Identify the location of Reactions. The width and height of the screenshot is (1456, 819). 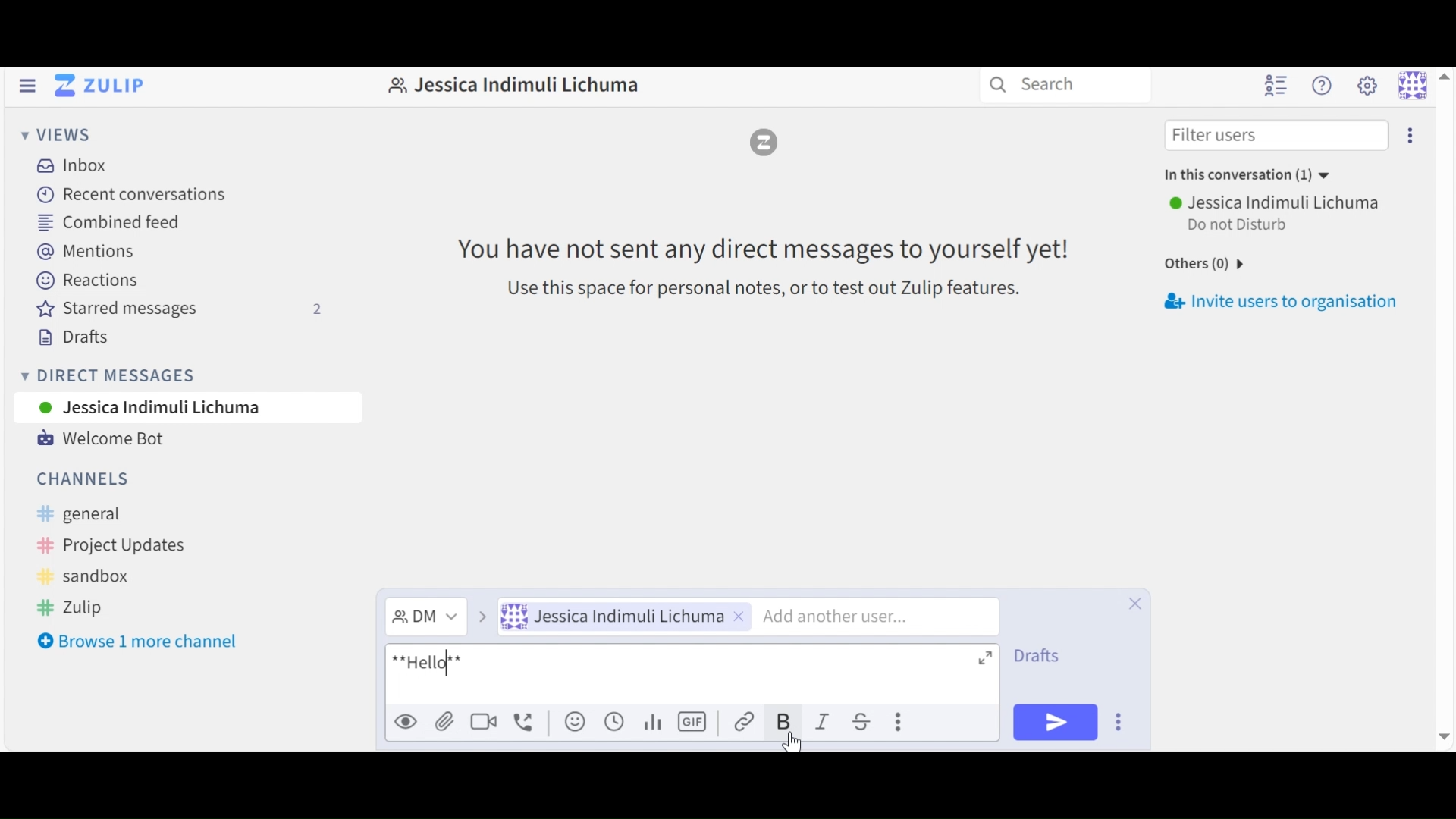
(87, 281).